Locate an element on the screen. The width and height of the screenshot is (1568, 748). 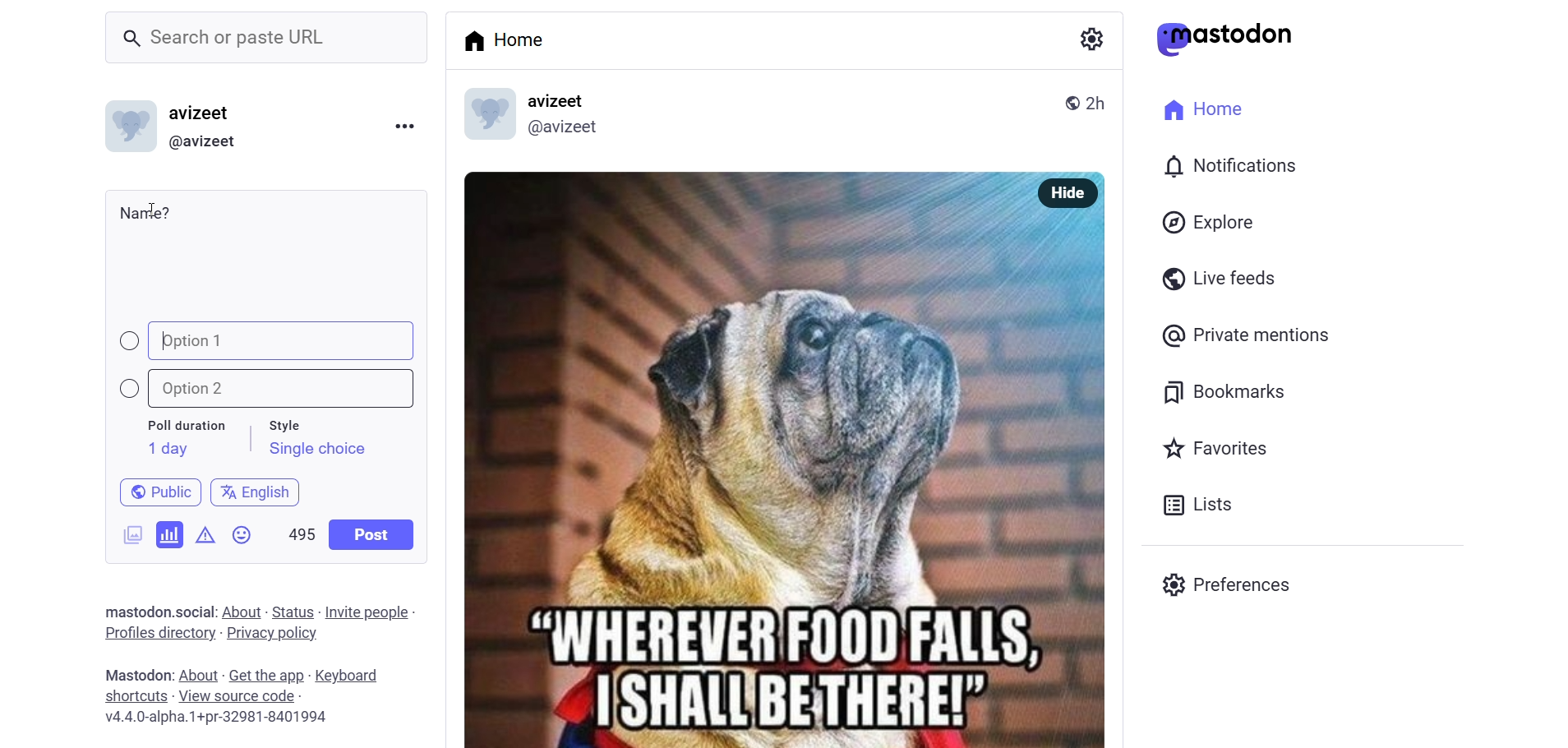
source code is located at coordinates (239, 696).